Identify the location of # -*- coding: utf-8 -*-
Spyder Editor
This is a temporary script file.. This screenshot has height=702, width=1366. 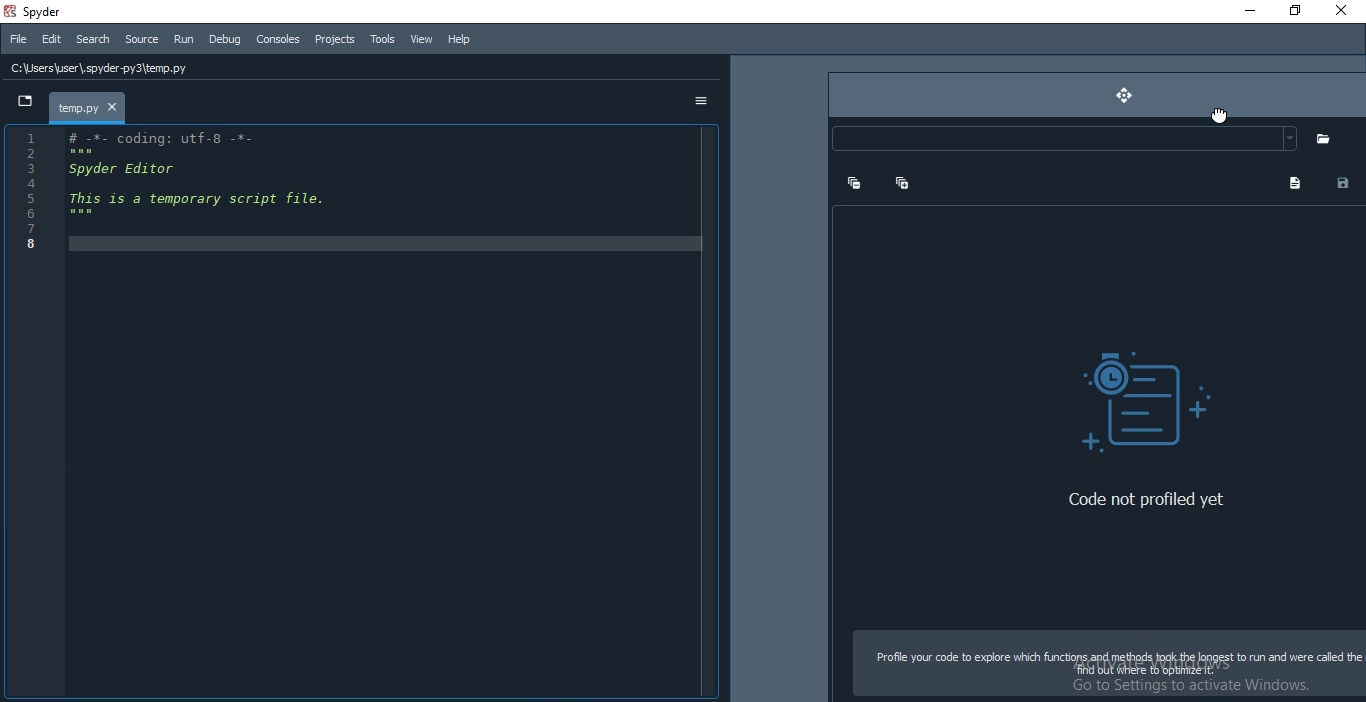
(203, 174).